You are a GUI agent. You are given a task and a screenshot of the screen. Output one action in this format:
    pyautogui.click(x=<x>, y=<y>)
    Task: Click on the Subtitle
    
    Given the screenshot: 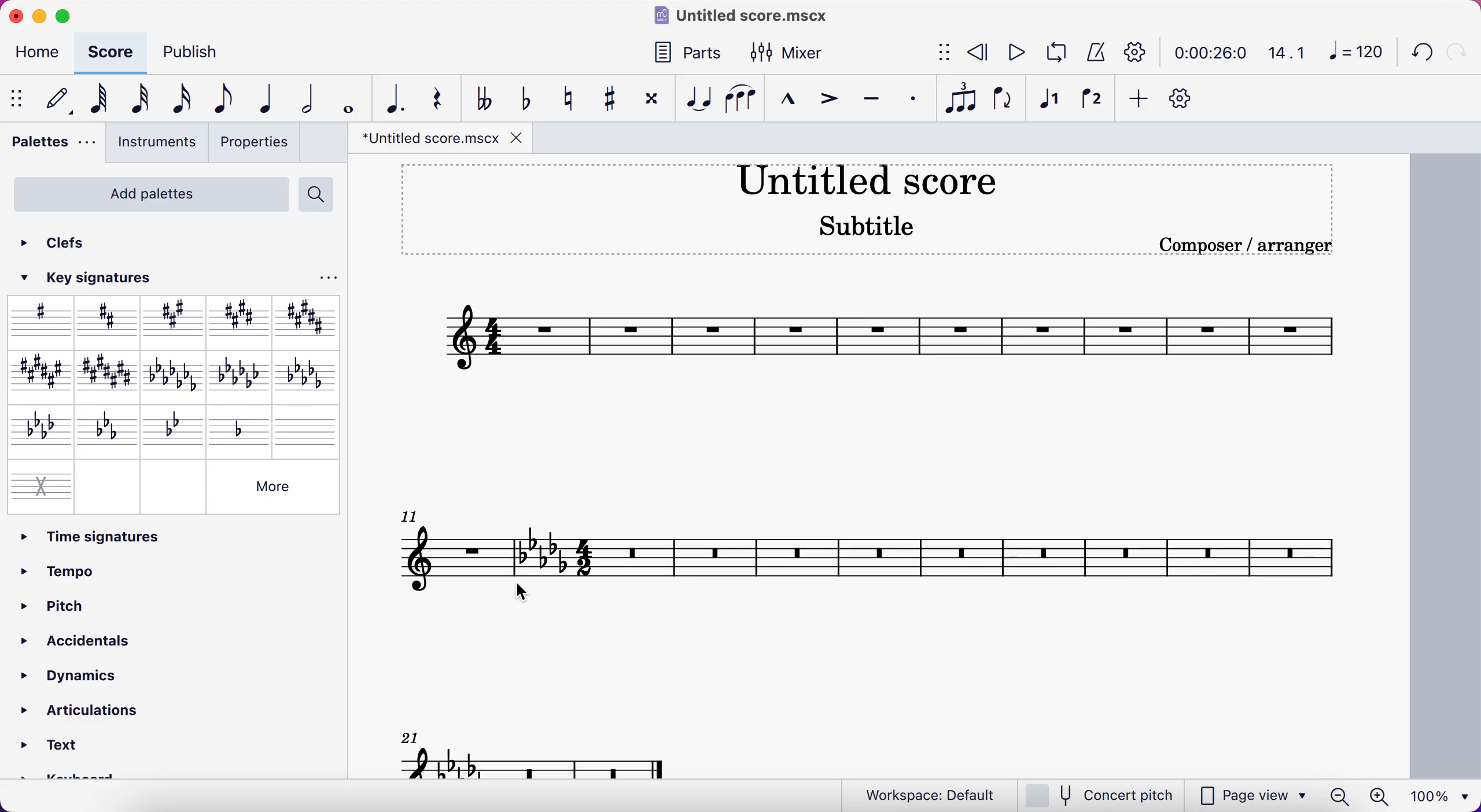 What is the action you would take?
    pyautogui.click(x=865, y=226)
    